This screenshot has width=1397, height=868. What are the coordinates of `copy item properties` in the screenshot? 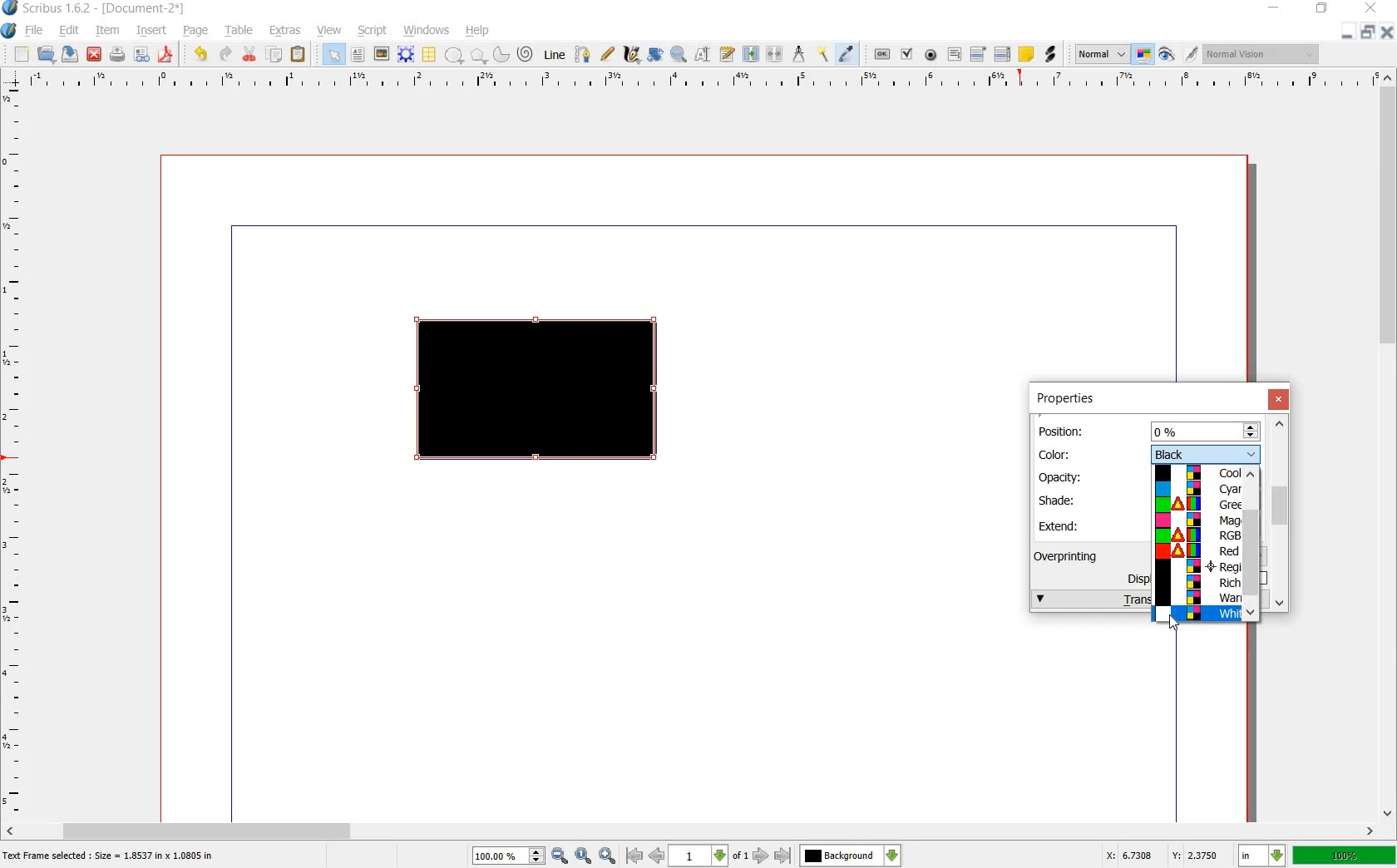 It's located at (824, 53).